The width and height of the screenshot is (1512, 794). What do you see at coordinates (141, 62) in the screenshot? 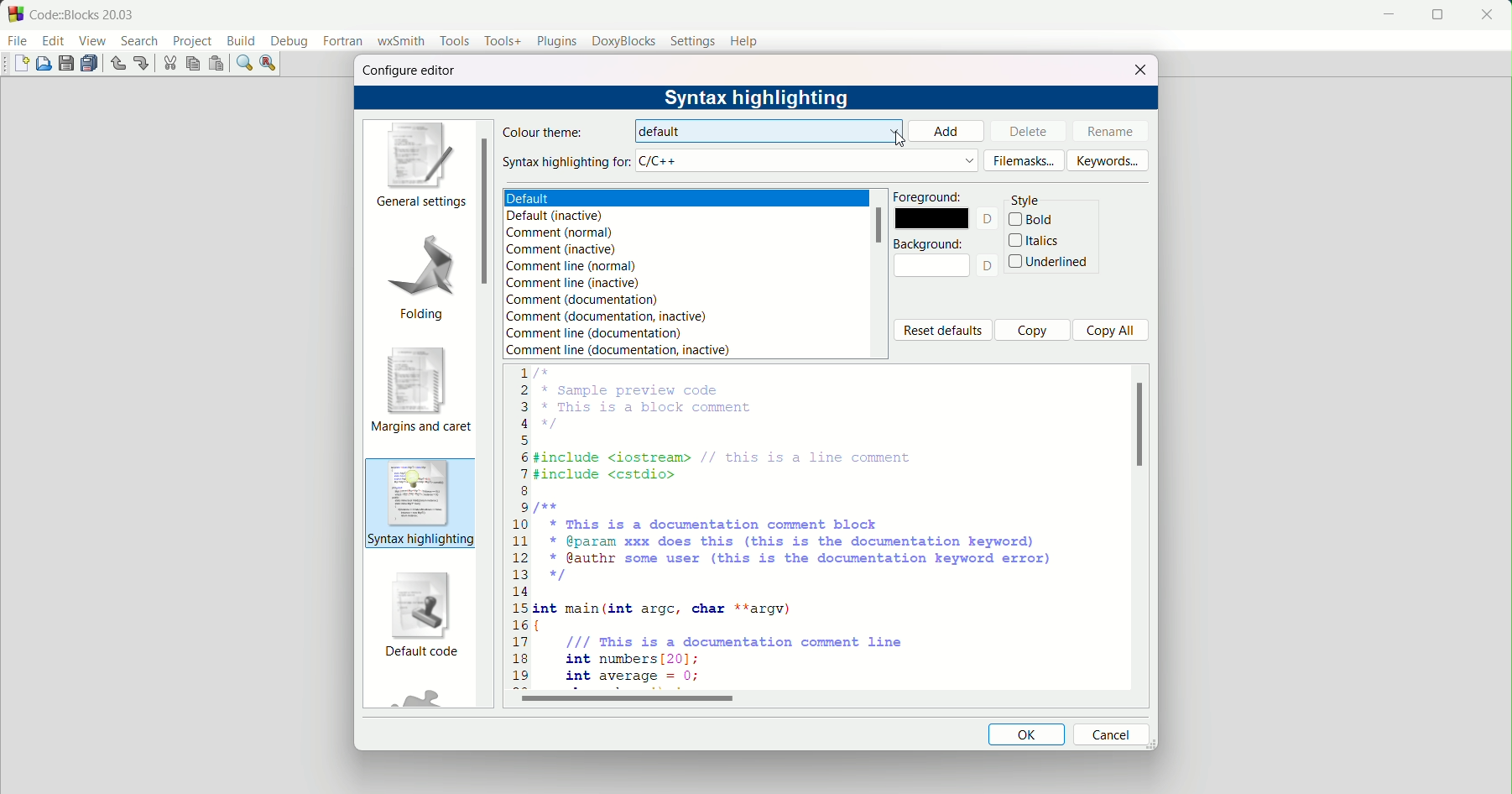
I see `redo` at bounding box center [141, 62].